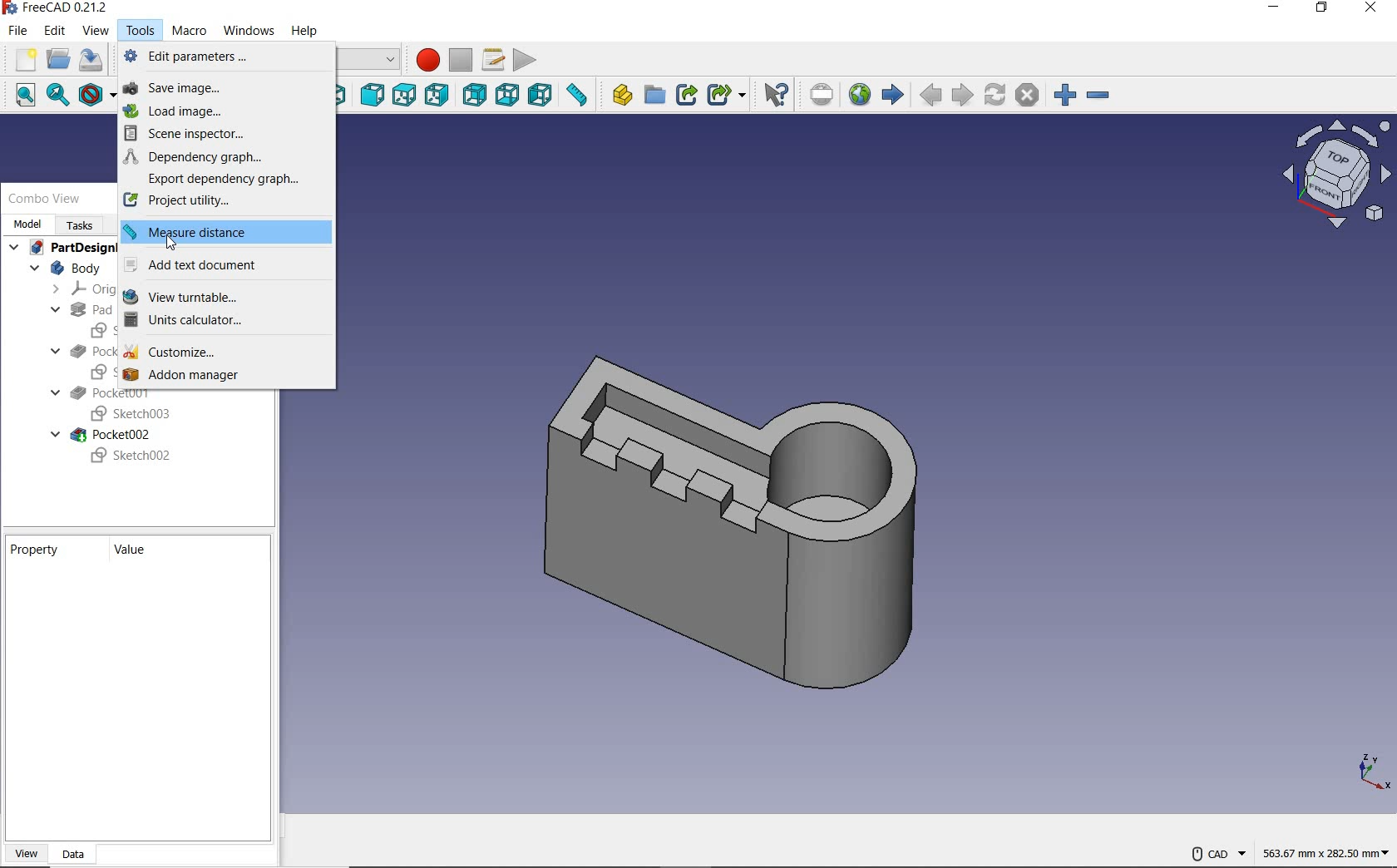  Describe the element at coordinates (219, 57) in the screenshot. I see `EDIT PARAMETERS` at that location.